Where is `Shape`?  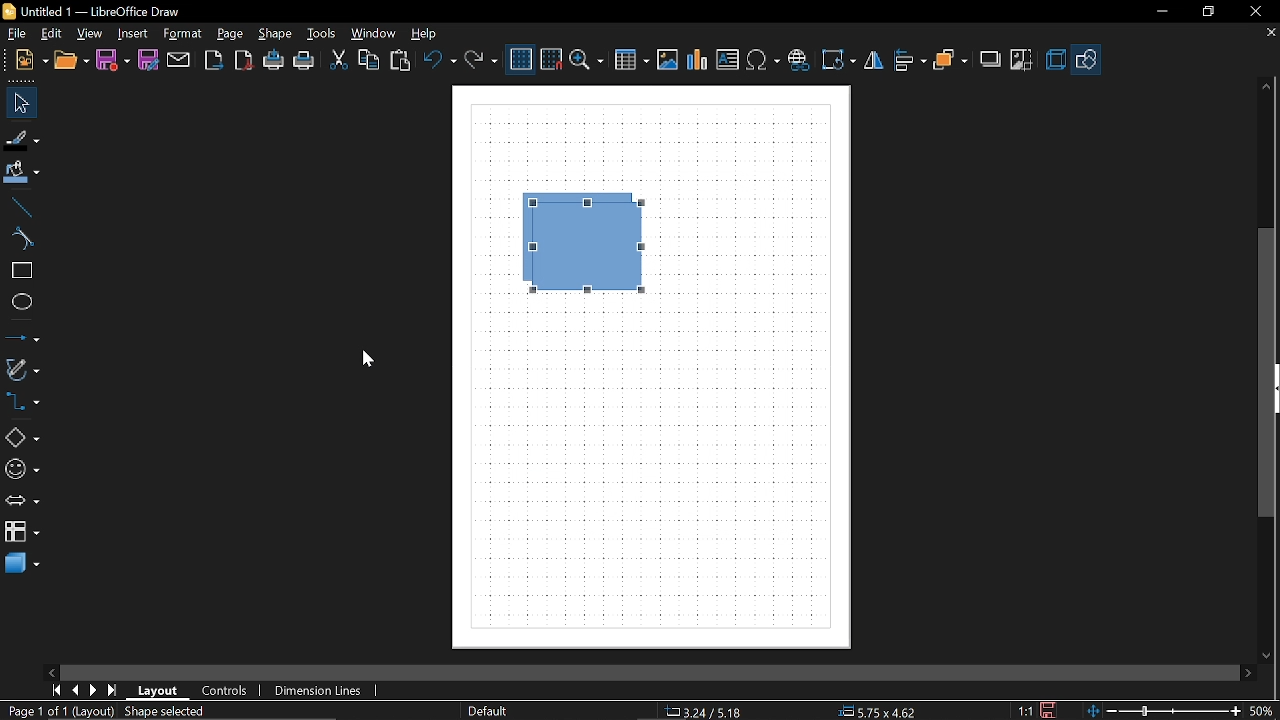 Shape is located at coordinates (274, 34).